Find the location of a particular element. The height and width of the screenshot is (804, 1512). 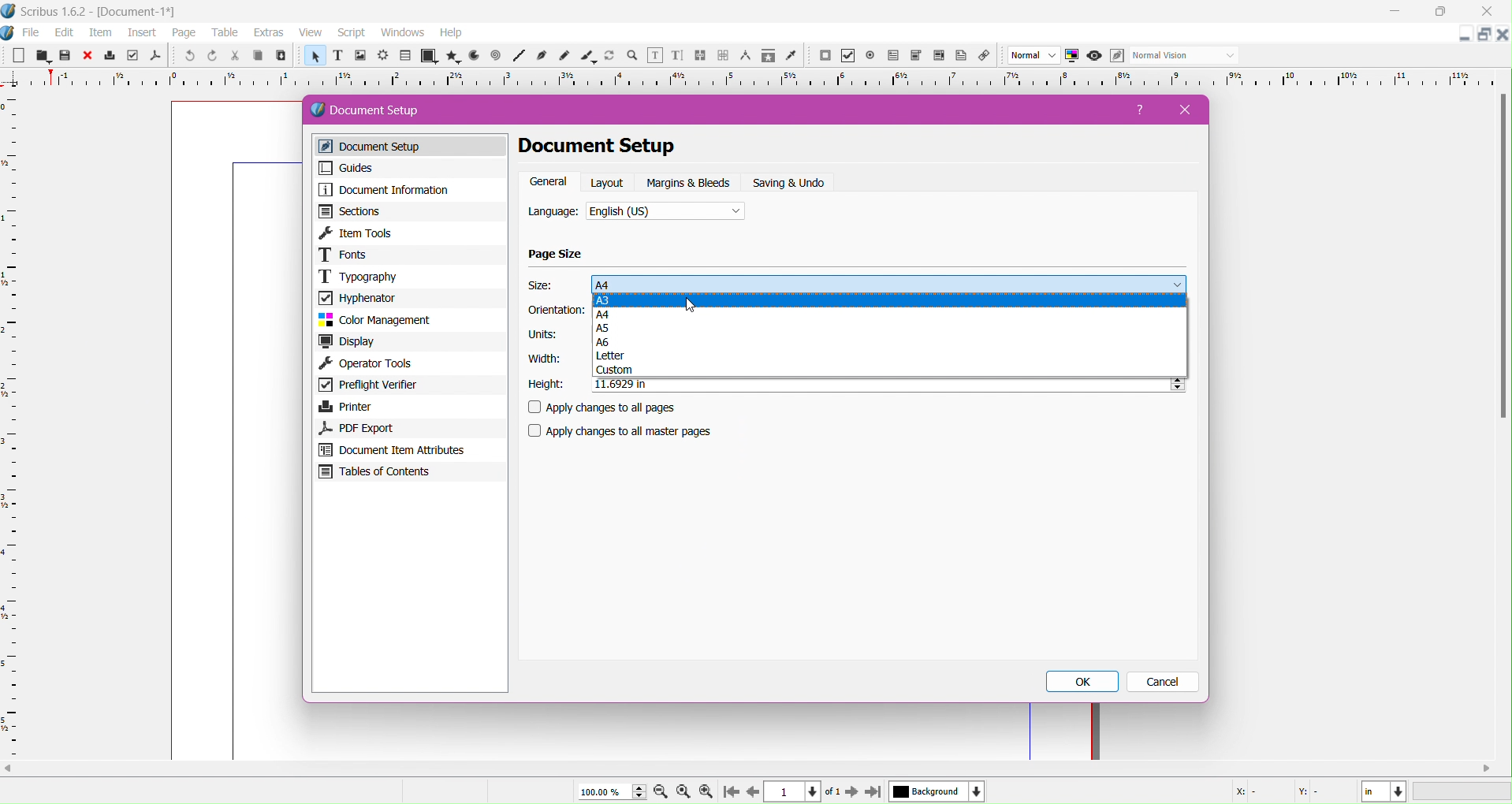

windows menu is located at coordinates (402, 33).